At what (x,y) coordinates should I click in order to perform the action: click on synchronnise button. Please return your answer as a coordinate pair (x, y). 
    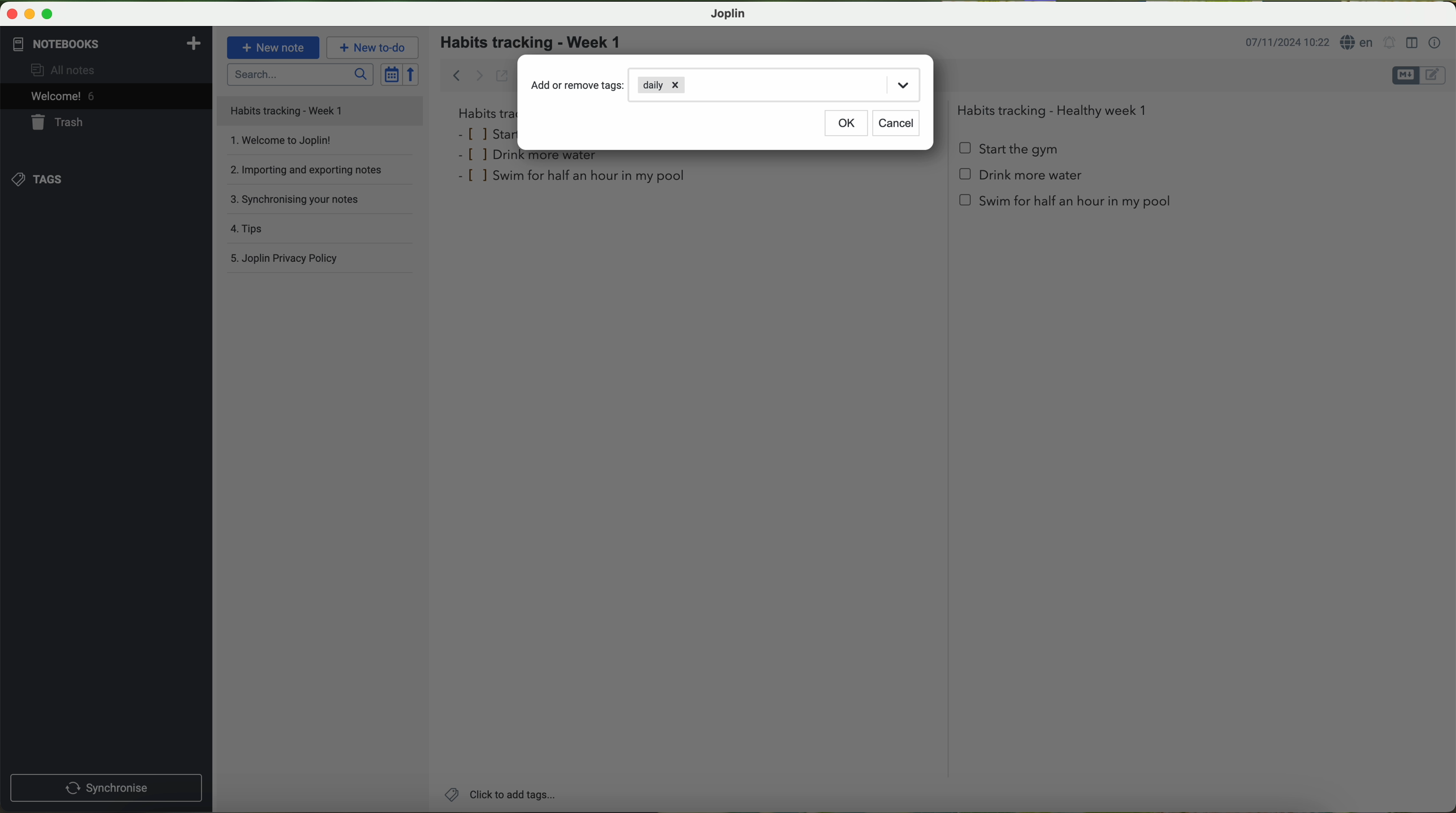
    Looking at the image, I should click on (105, 789).